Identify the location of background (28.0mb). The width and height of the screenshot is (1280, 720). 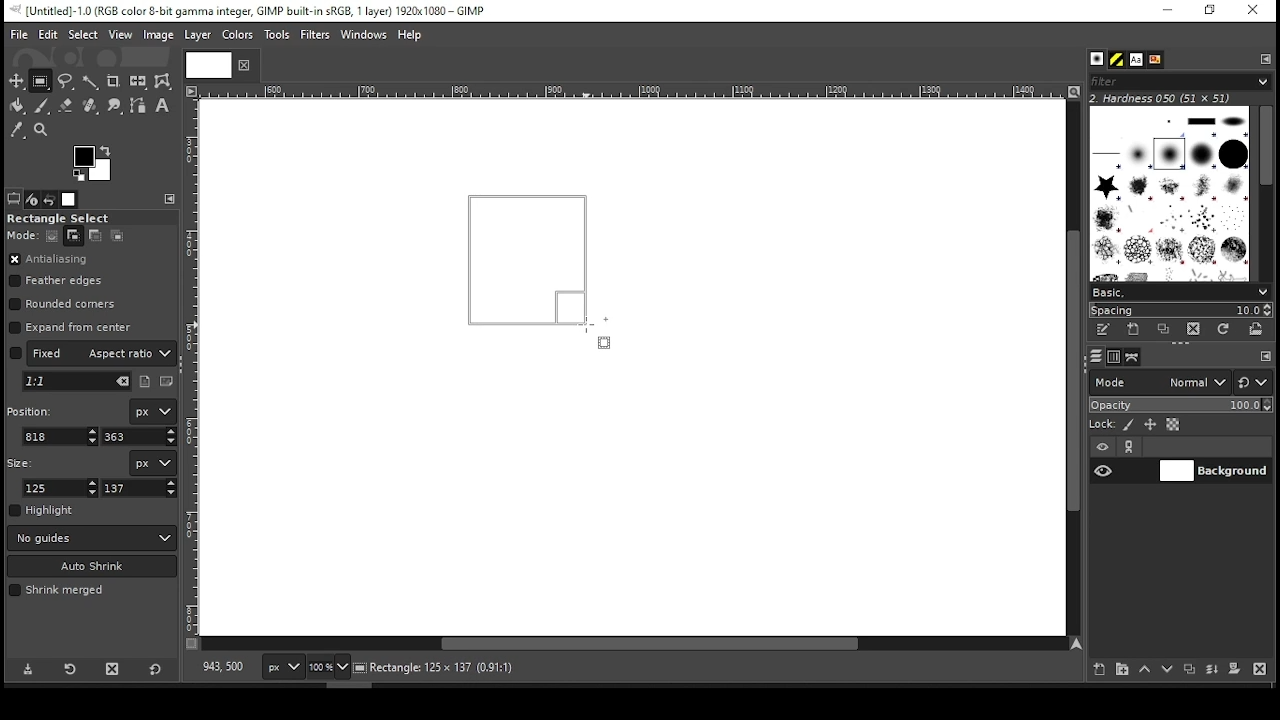
(490, 668).